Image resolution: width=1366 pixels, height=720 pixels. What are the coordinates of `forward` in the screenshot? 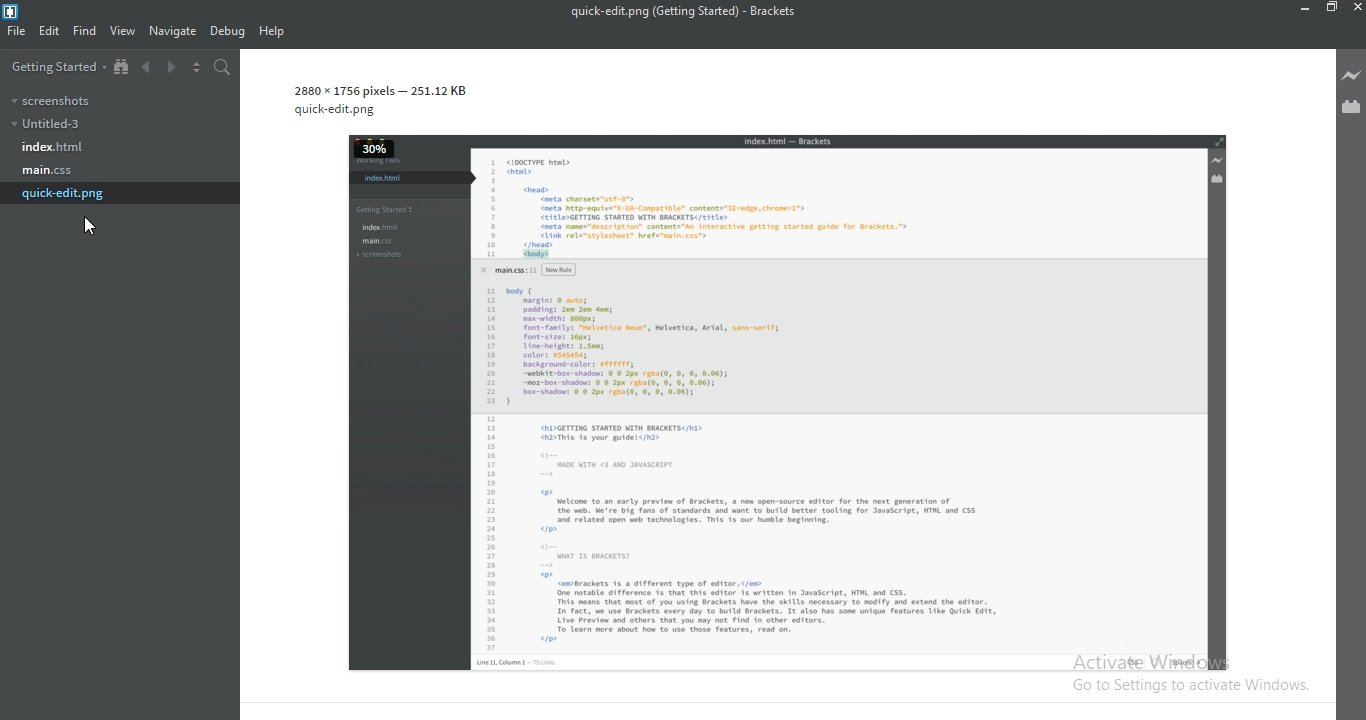 It's located at (173, 69).